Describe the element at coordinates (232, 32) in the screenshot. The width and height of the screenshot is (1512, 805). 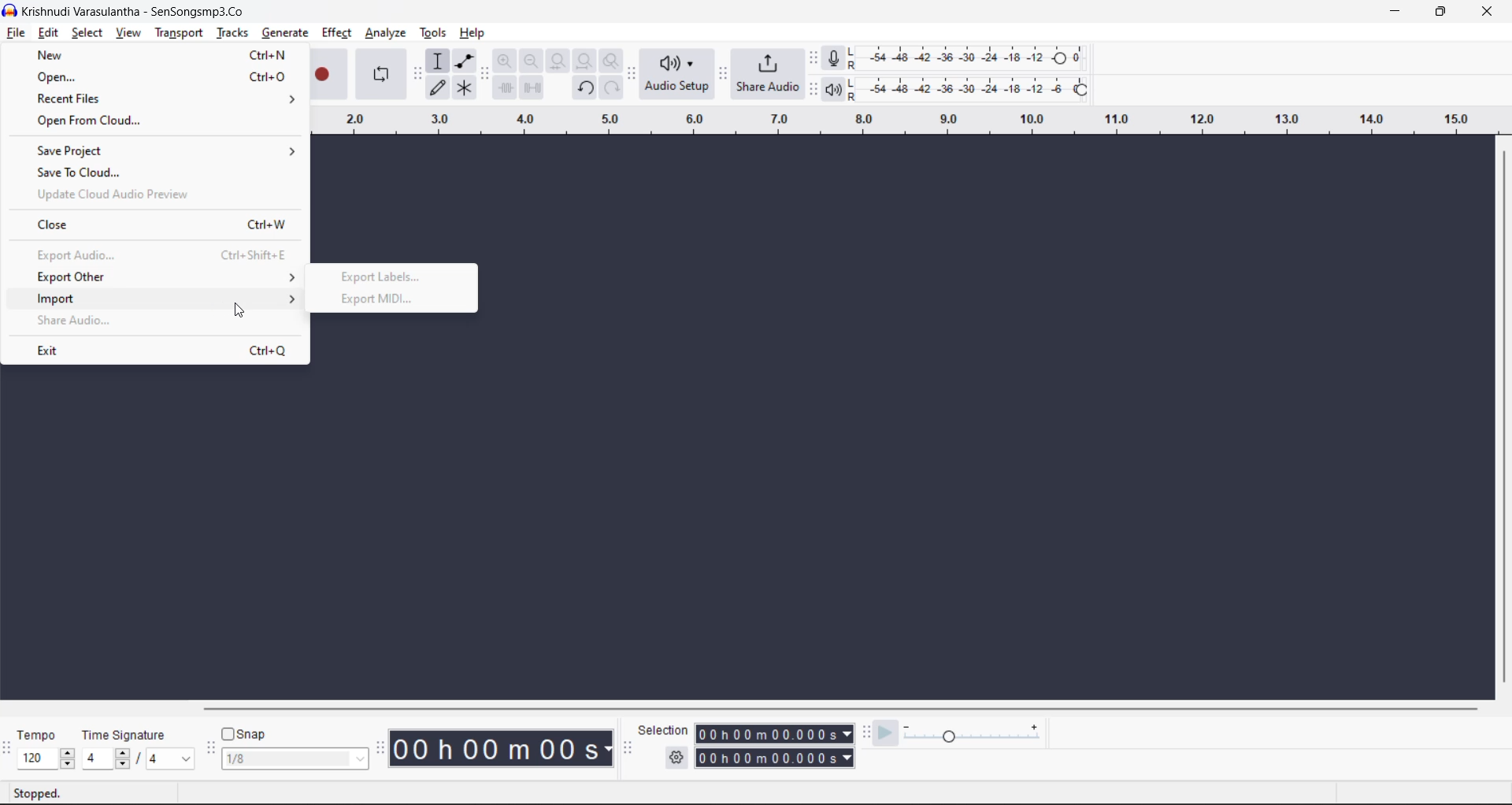
I see `tracks` at that location.